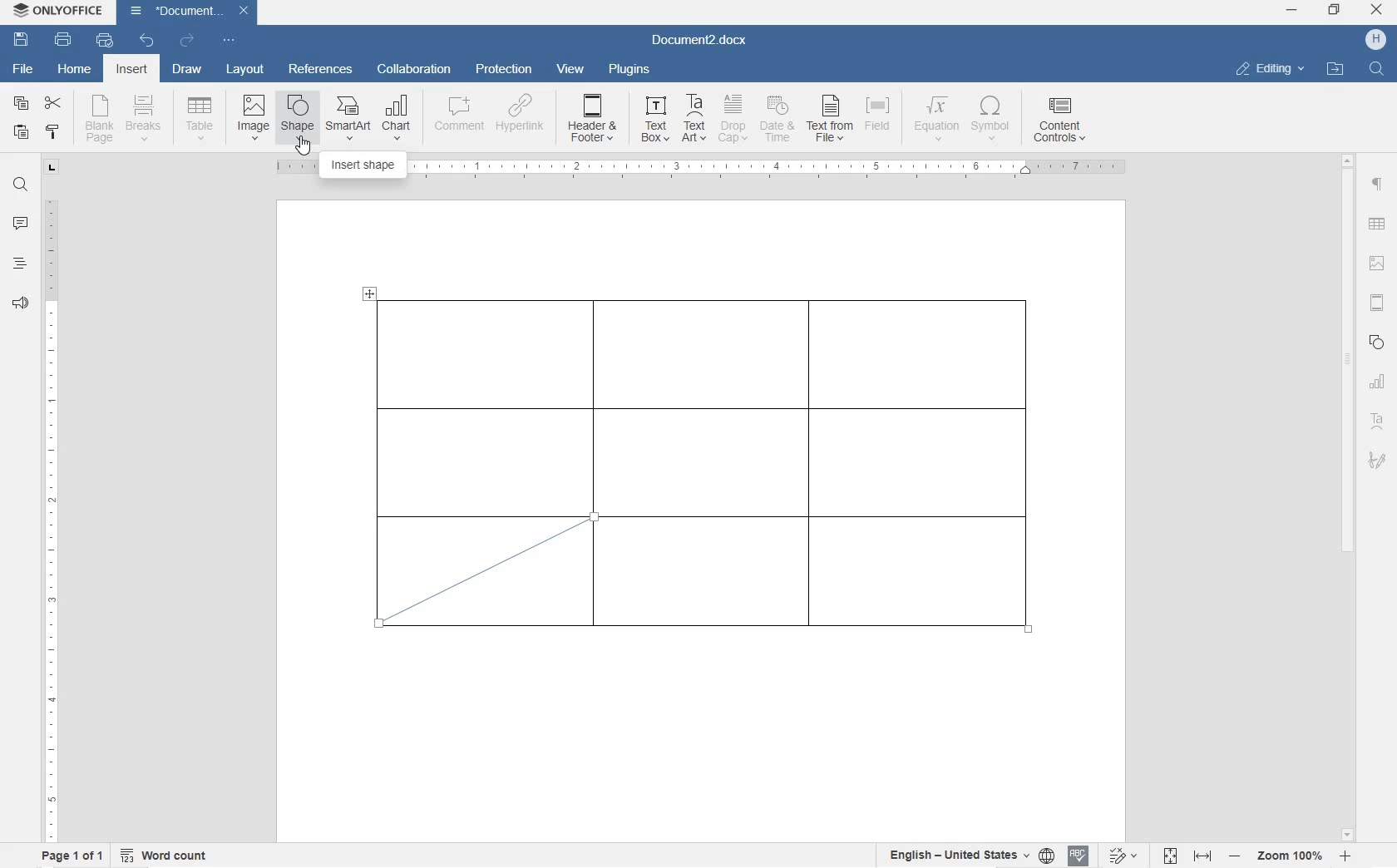 Image resolution: width=1397 pixels, height=868 pixels. Describe the element at coordinates (1378, 68) in the screenshot. I see `FIND` at that location.